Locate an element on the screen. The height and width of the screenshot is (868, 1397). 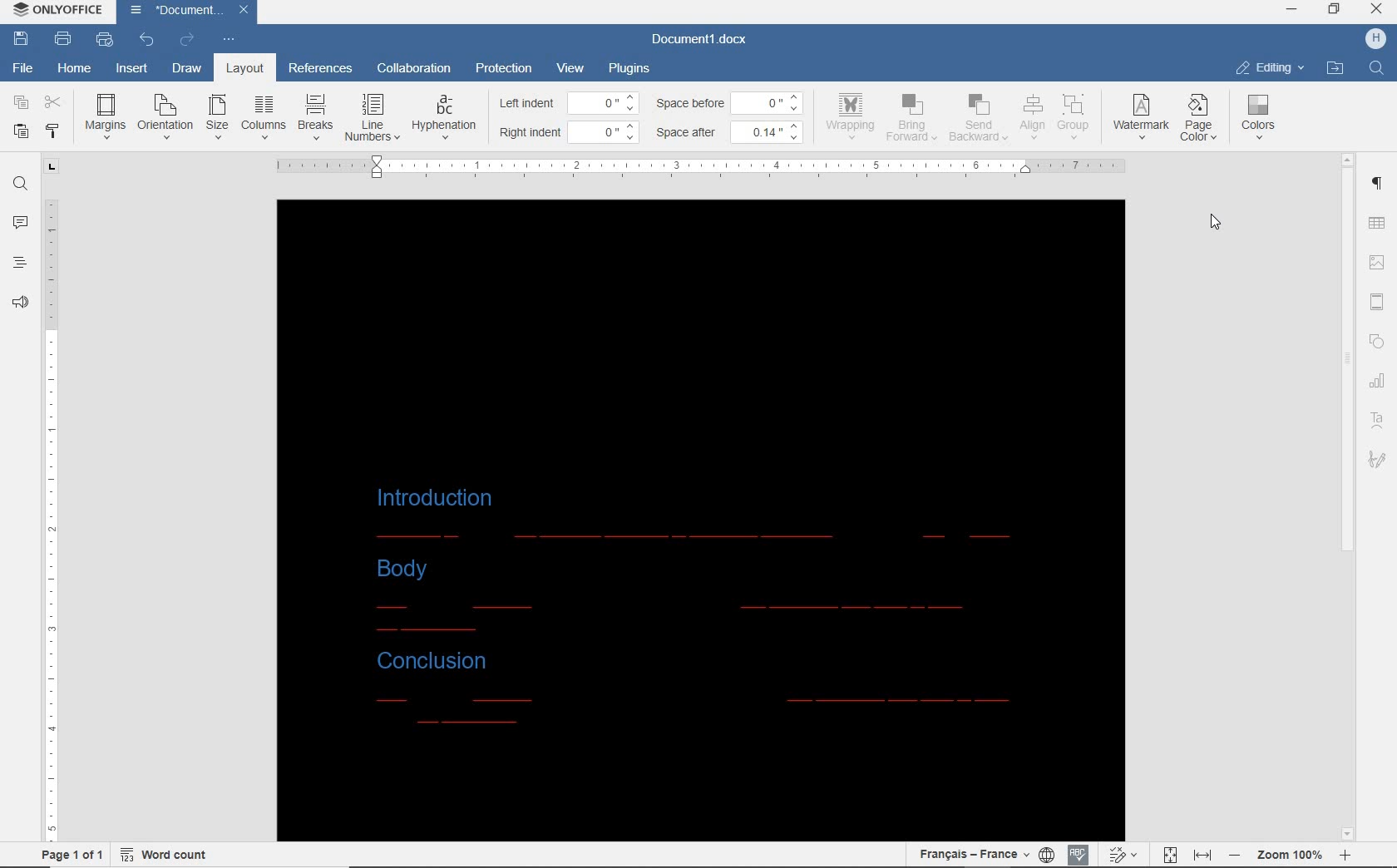
fit to page is located at coordinates (1170, 852).